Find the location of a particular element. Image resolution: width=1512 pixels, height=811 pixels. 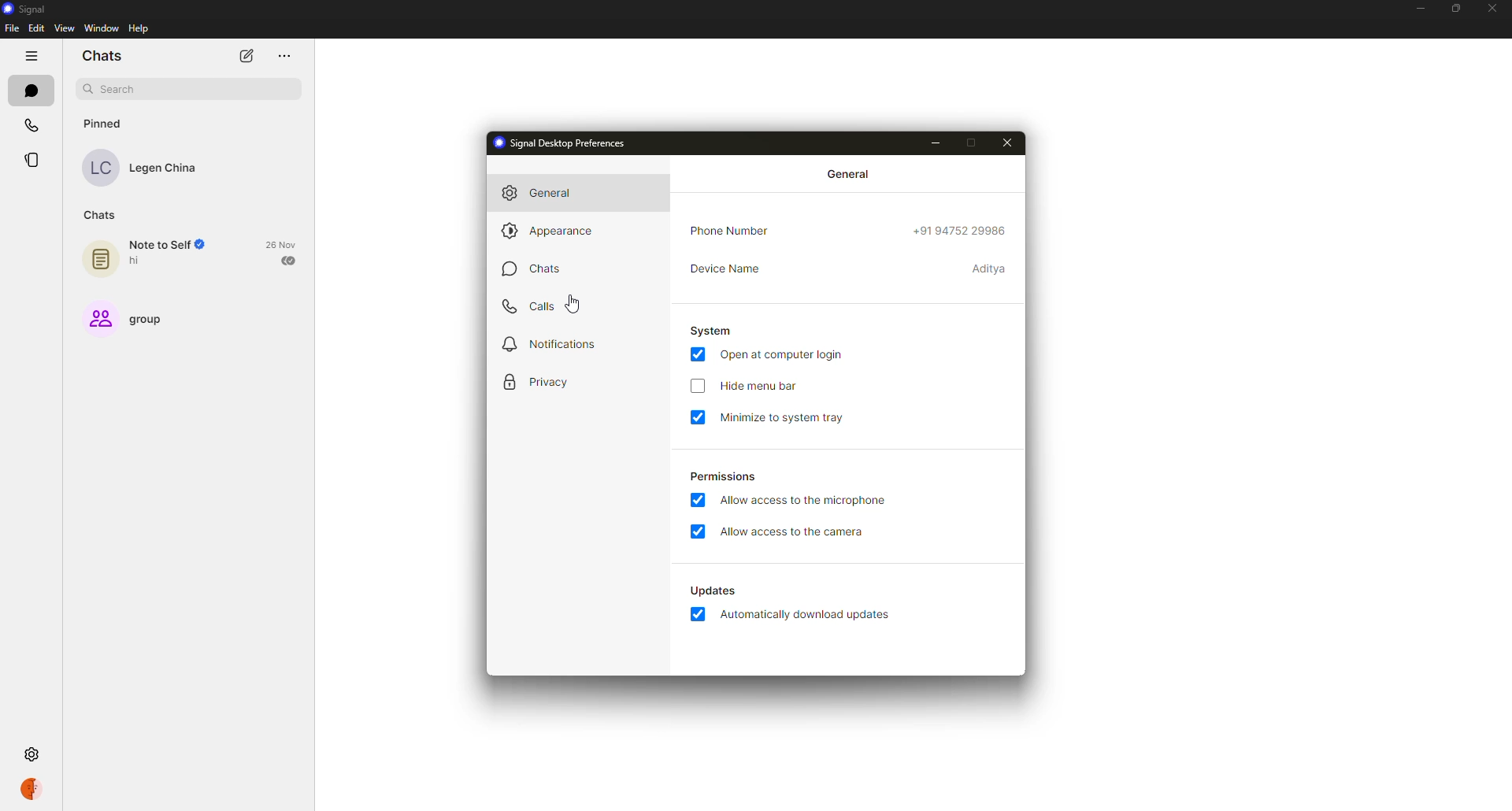

permissions is located at coordinates (724, 475).